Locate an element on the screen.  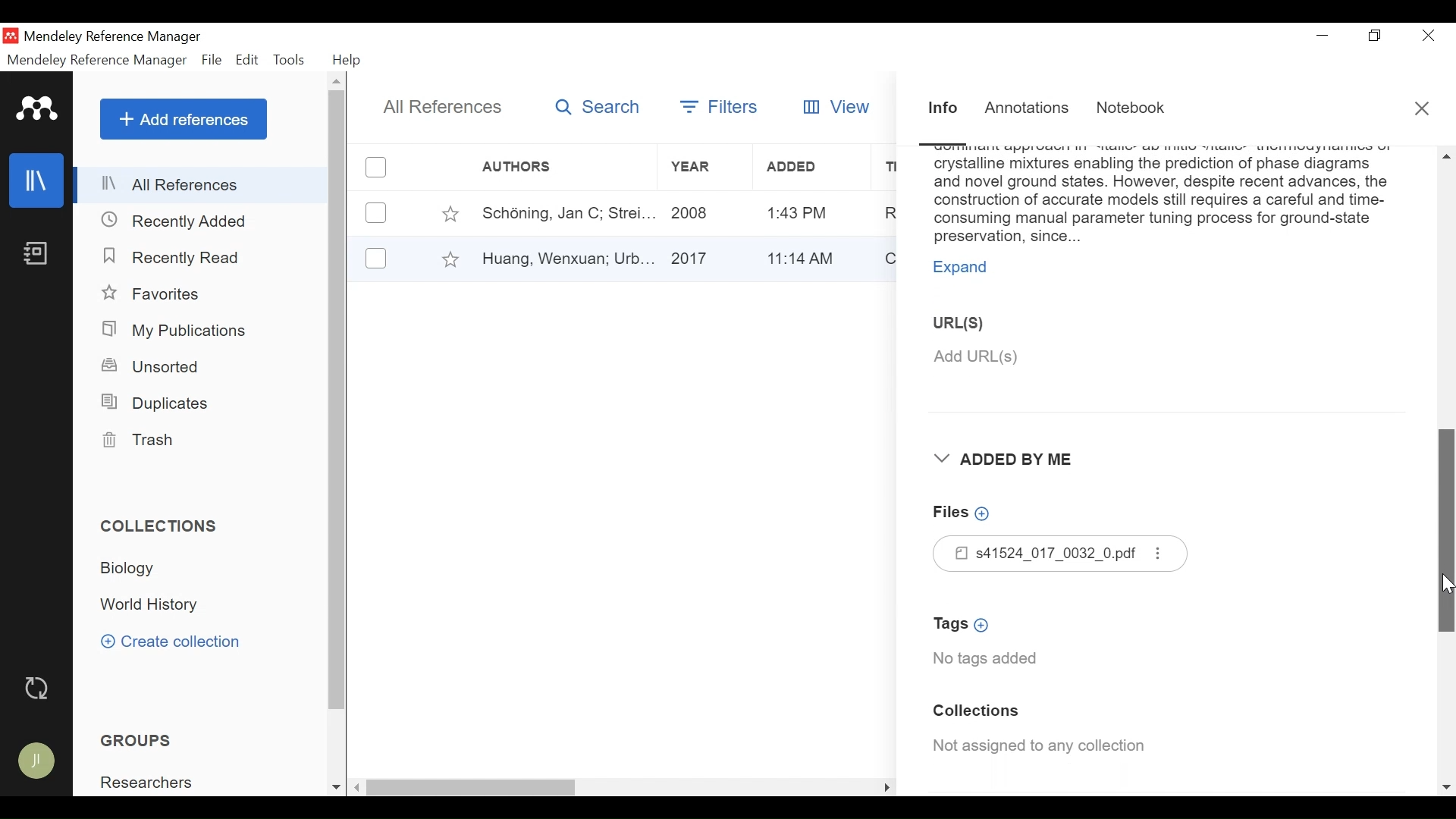
View is located at coordinates (838, 105).